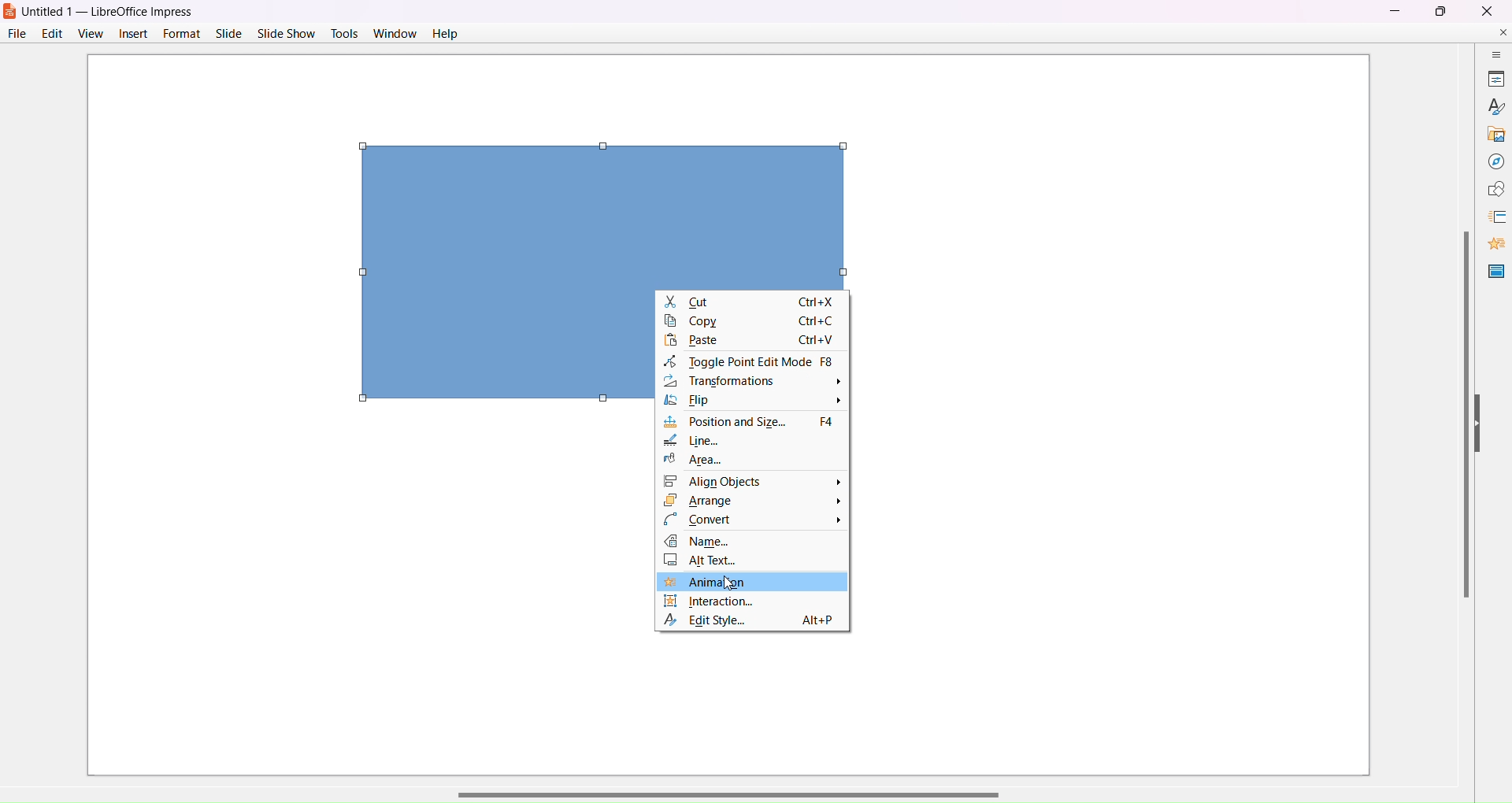 The height and width of the screenshot is (803, 1512). What do you see at coordinates (754, 581) in the screenshot?
I see `Animations` at bounding box center [754, 581].